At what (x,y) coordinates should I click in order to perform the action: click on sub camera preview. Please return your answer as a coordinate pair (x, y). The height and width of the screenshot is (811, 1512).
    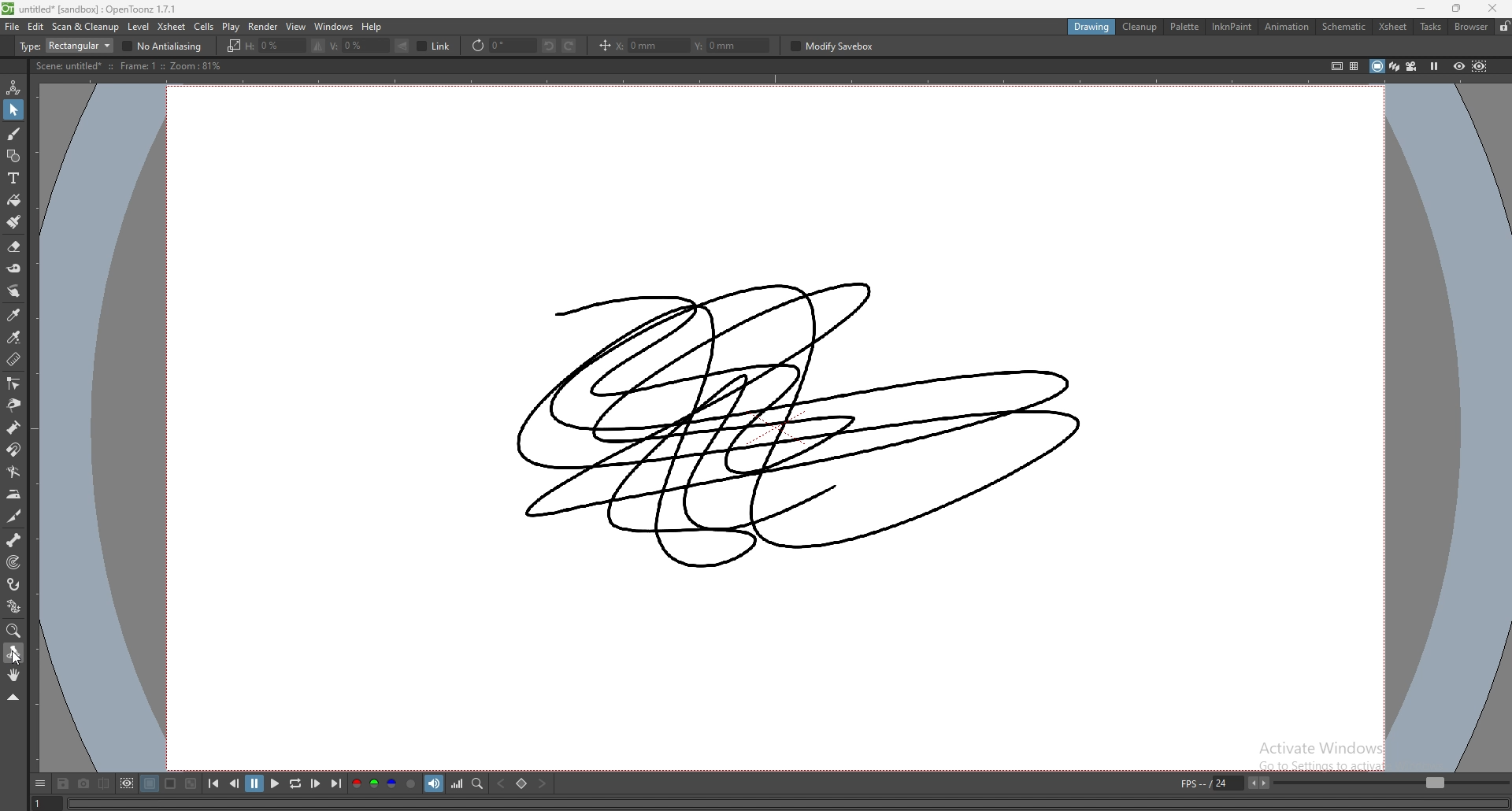
    Looking at the image, I should click on (1480, 66).